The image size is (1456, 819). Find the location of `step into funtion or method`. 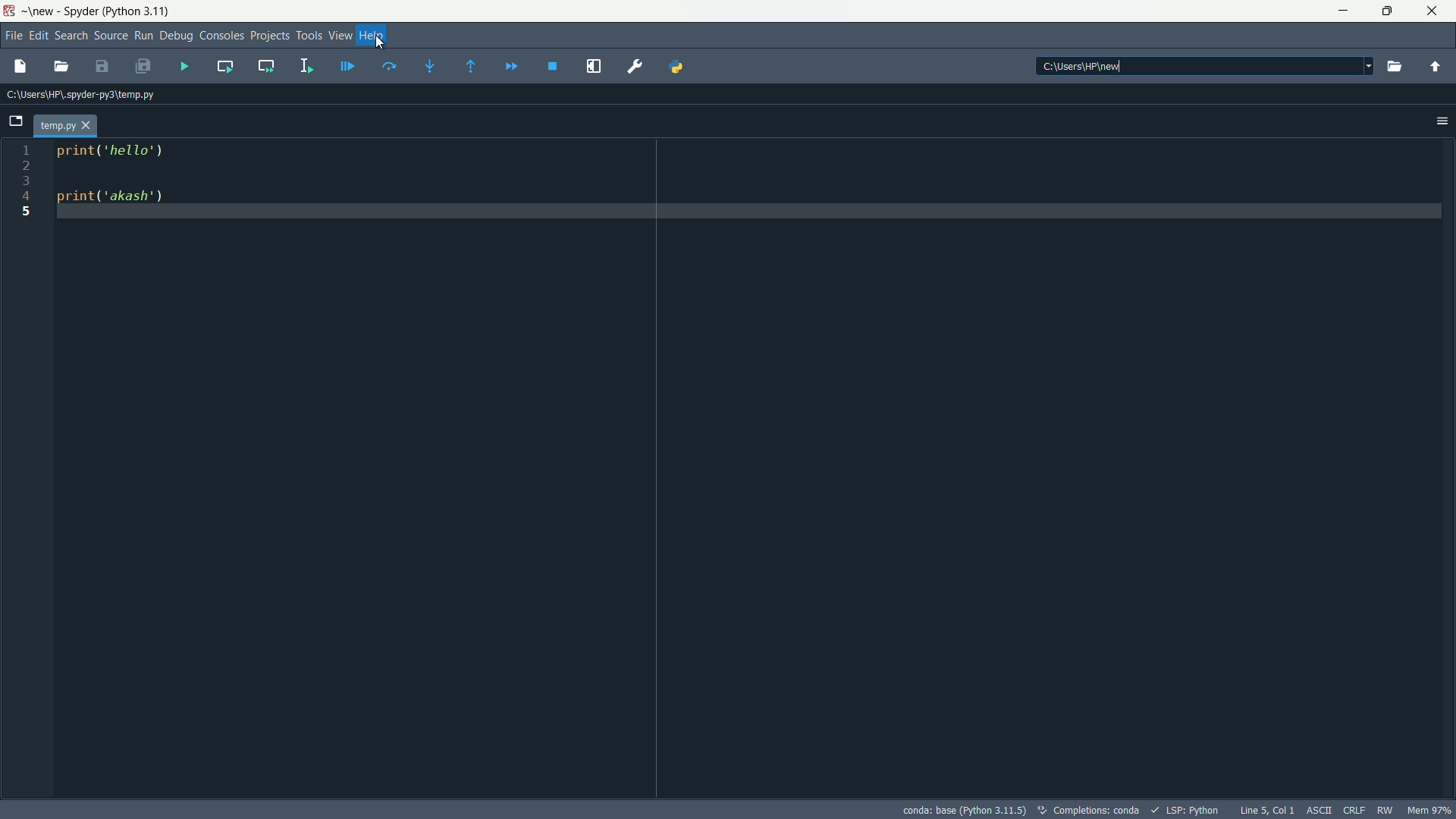

step into funtion or method is located at coordinates (431, 65).